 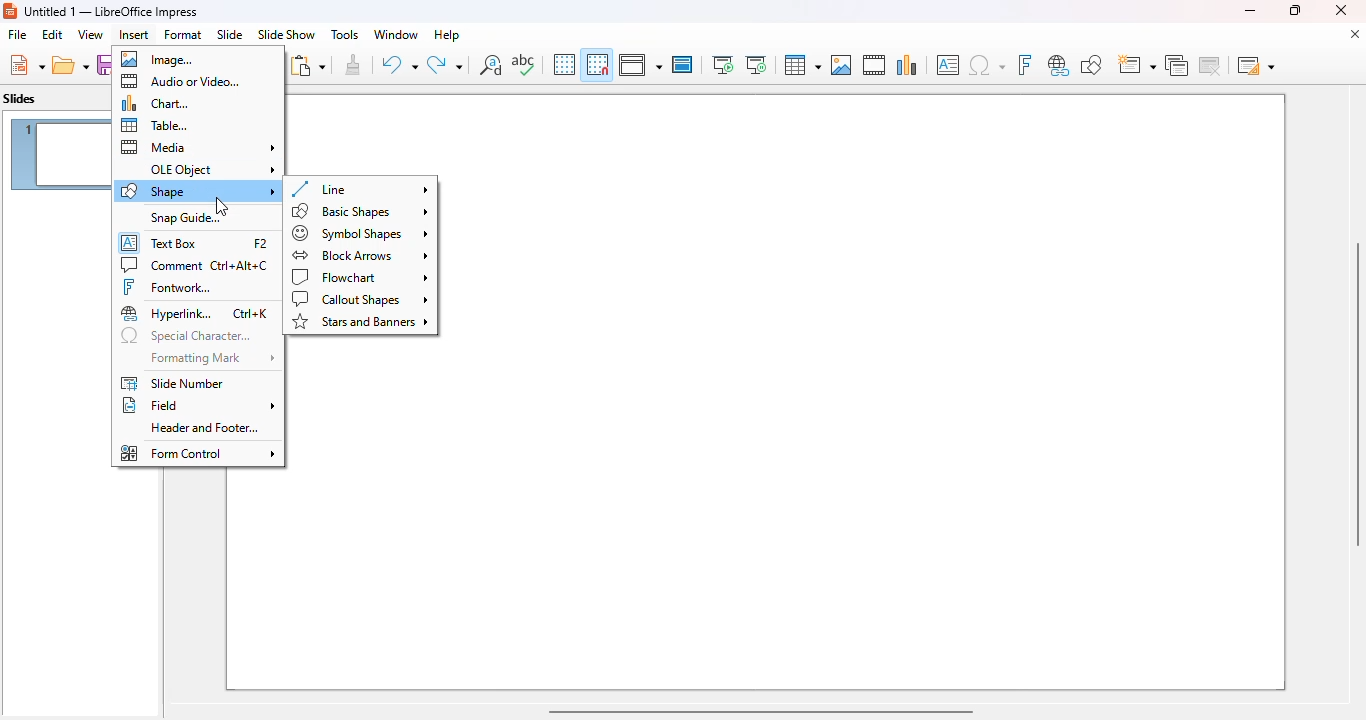 I want to click on slide number, so click(x=172, y=383).